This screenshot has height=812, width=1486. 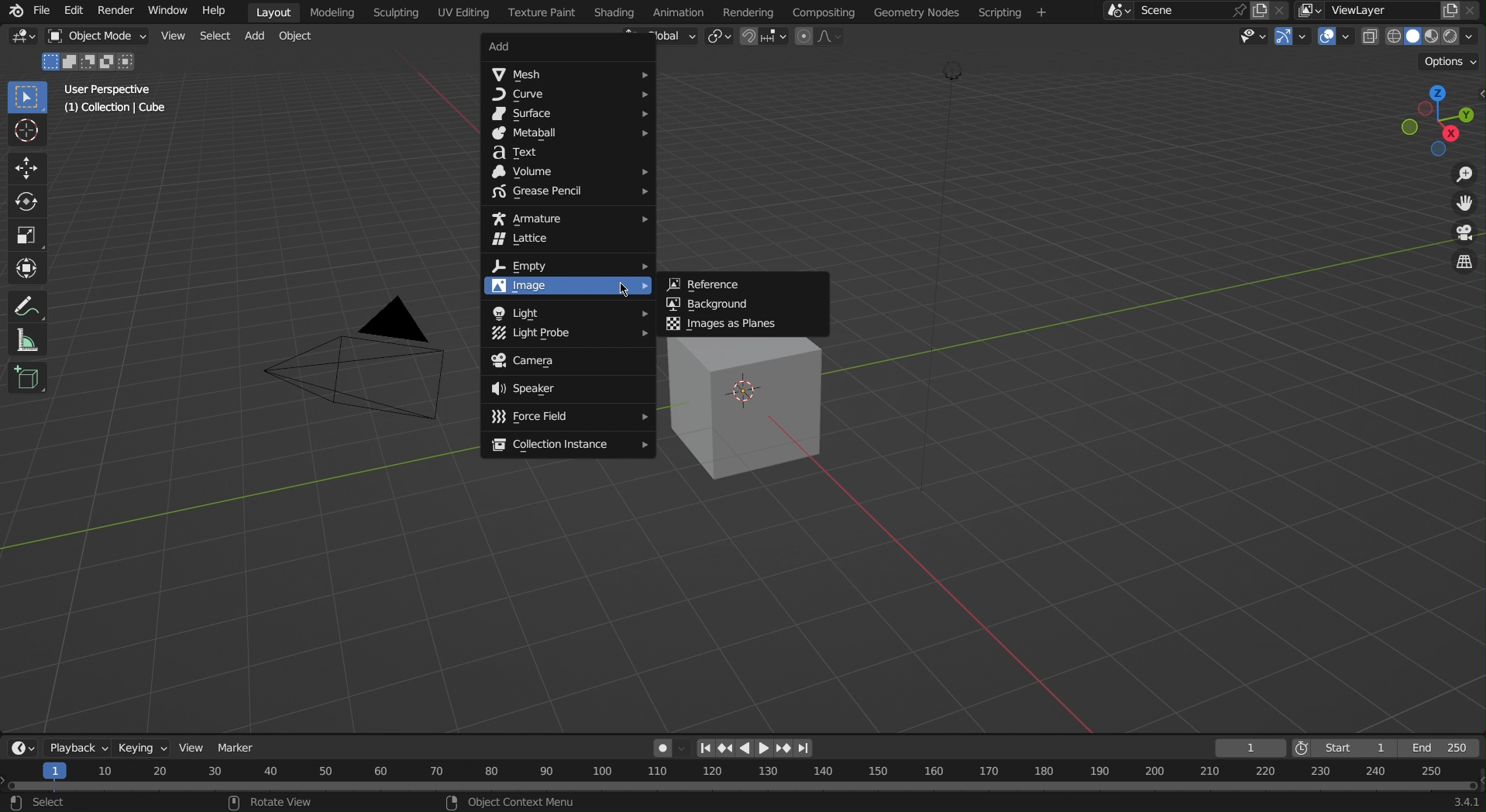 What do you see at coordinates (717, 38) in the screenshot?
I see `Transform Pivot Point` at bounding box center [717, 38].